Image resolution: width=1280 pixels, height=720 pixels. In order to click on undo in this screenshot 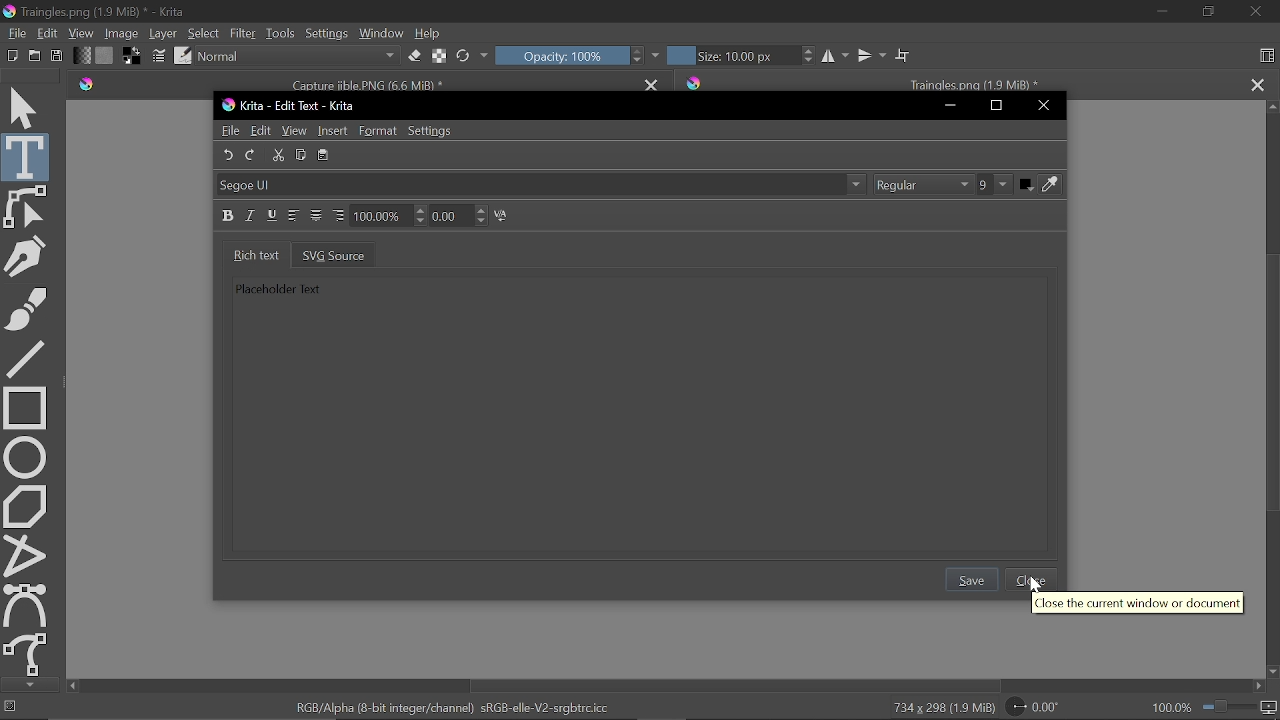, I will do `click(227, 154)`.